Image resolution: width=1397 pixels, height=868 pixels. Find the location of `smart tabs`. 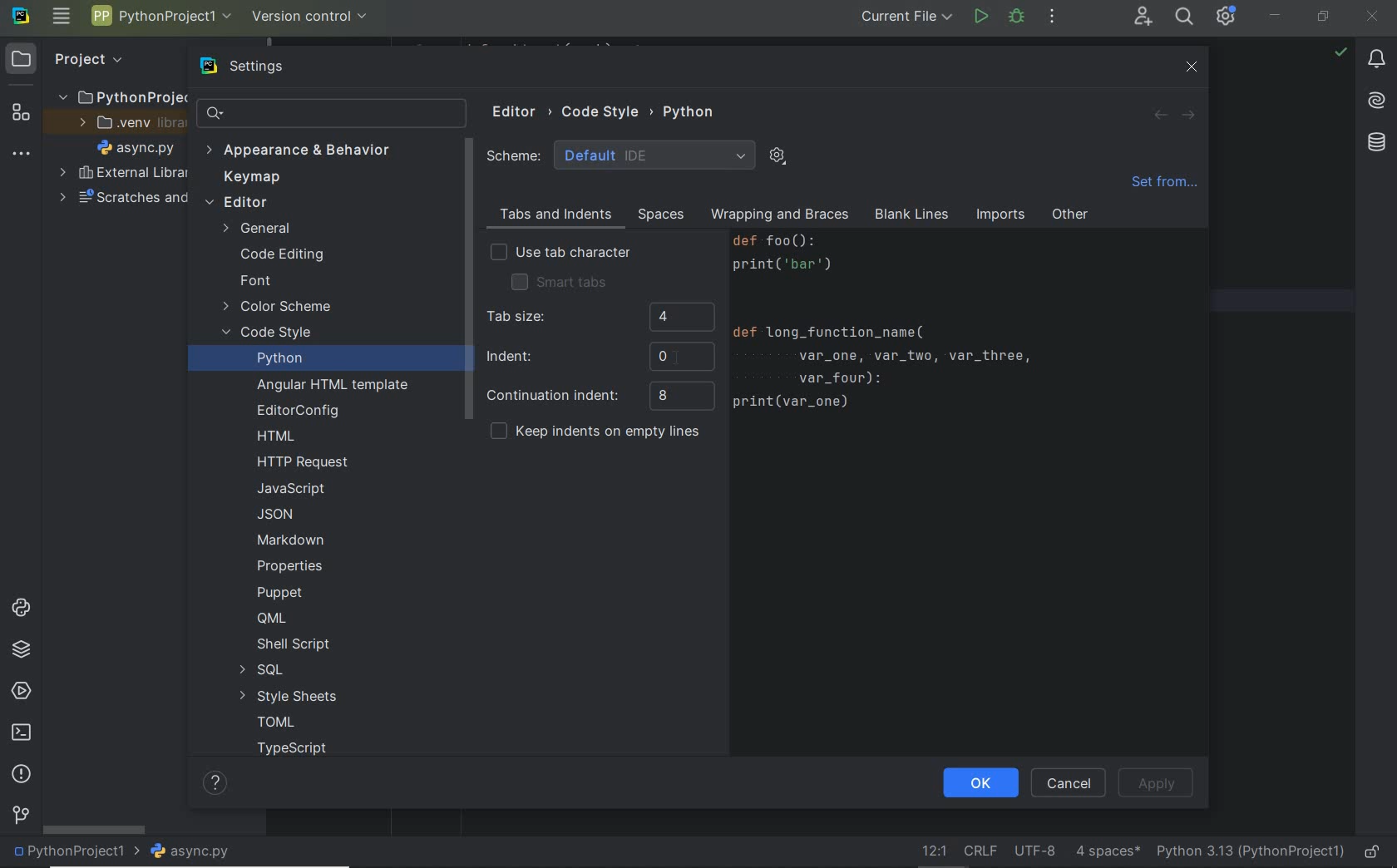

smart tabs is located at coordinates (559, 281).